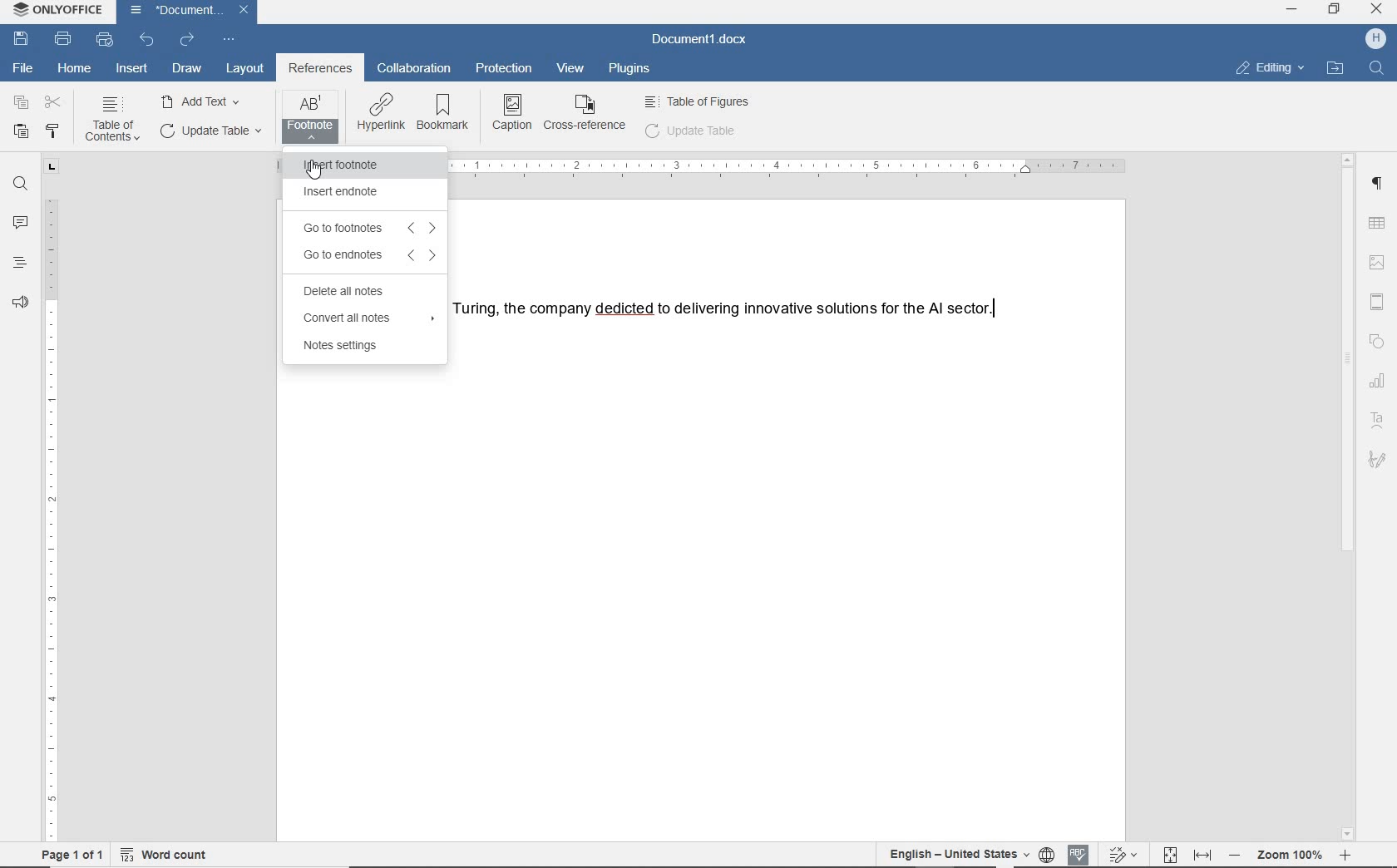  I want to click on customize quick access toolbar, so click(227, 40).